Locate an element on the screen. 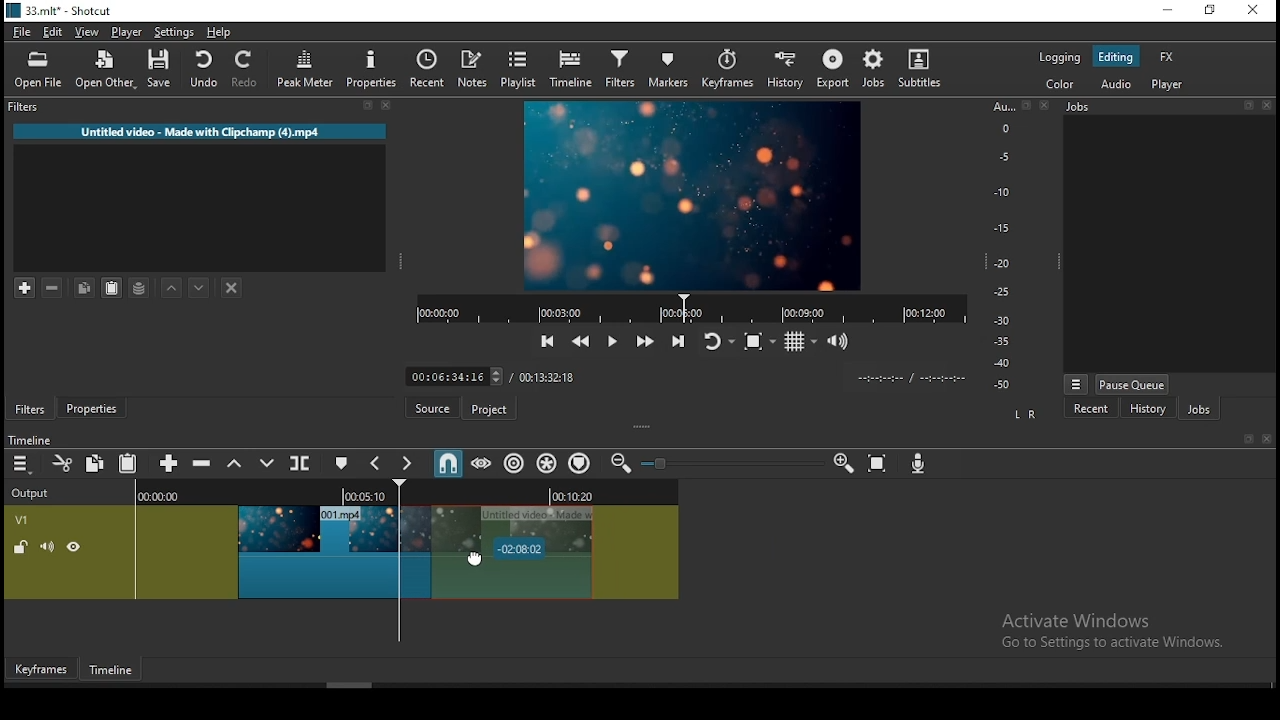 Image resolution: width=1280 pixels, height=720 pixels. color is located at coordinates (1060, 57).